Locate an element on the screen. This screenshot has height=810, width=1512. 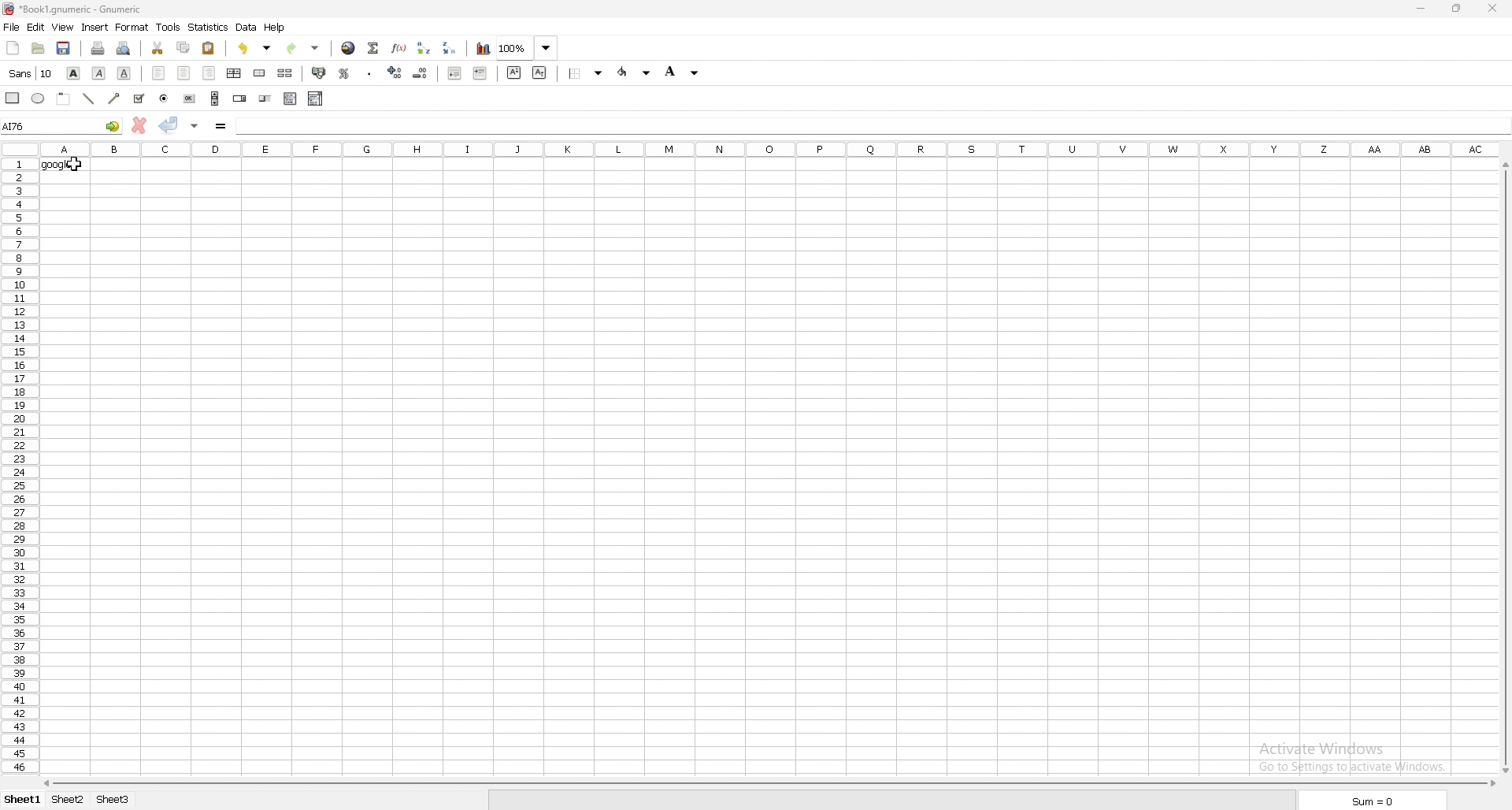
column is located at coordinates (770, 148).